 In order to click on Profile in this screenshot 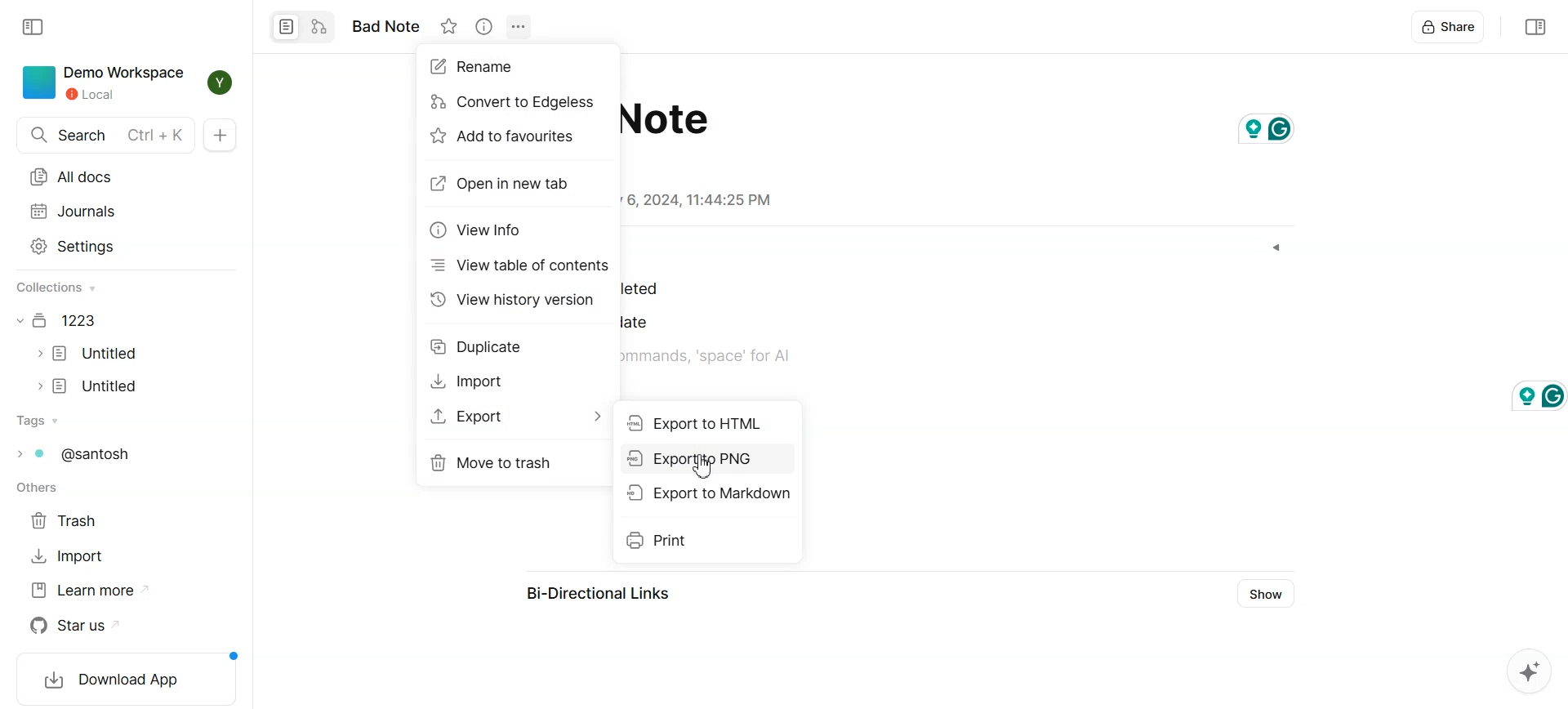, I will do `click(220, 84)`.